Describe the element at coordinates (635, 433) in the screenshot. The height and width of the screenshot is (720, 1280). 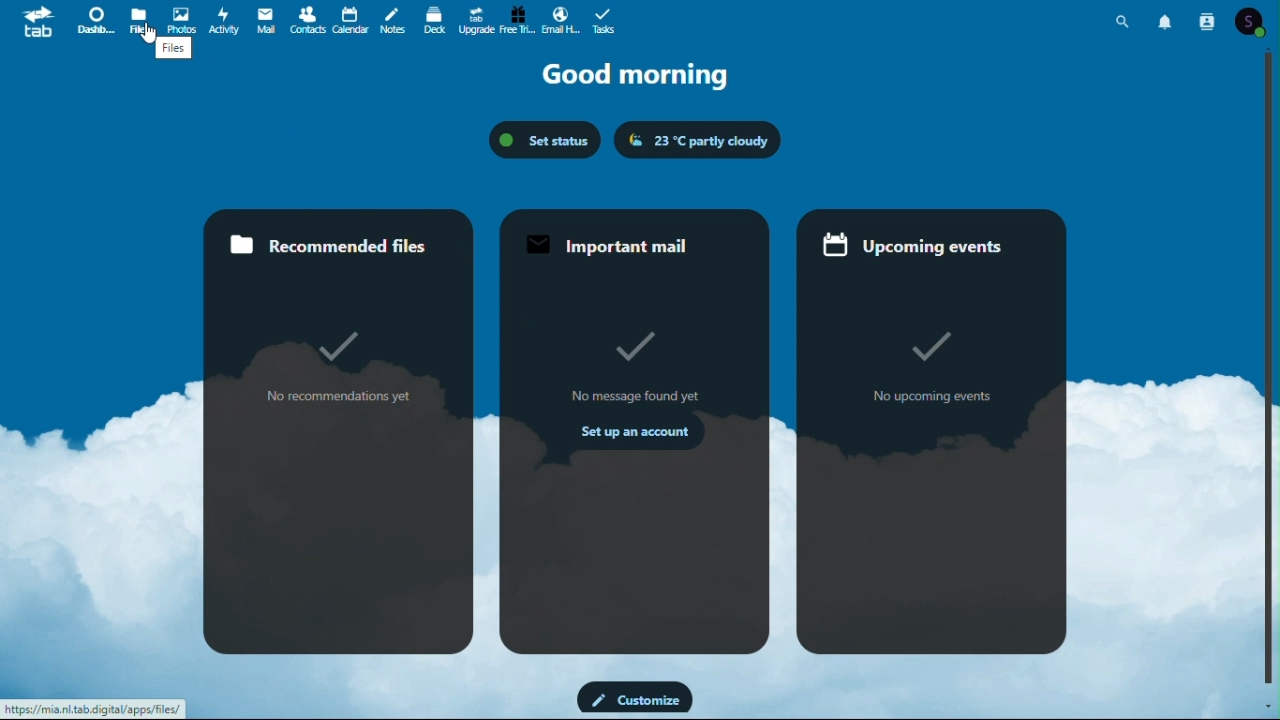
I see `Important mail` at that location.